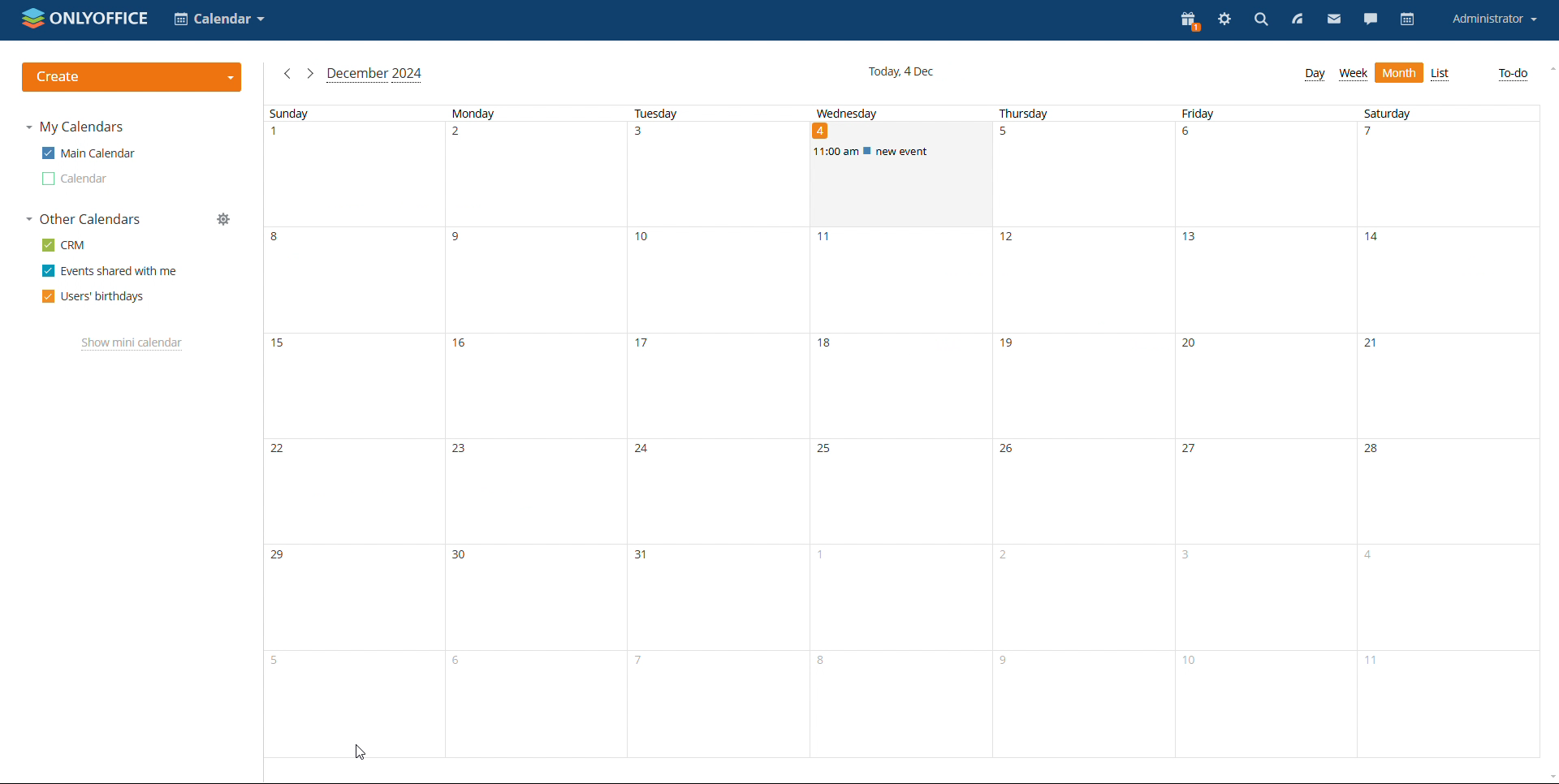 The width and height of the screenshot is (1559, 784). Describe the element at coordinates (533, 432) in the screenshot. I see `monday` at that location.